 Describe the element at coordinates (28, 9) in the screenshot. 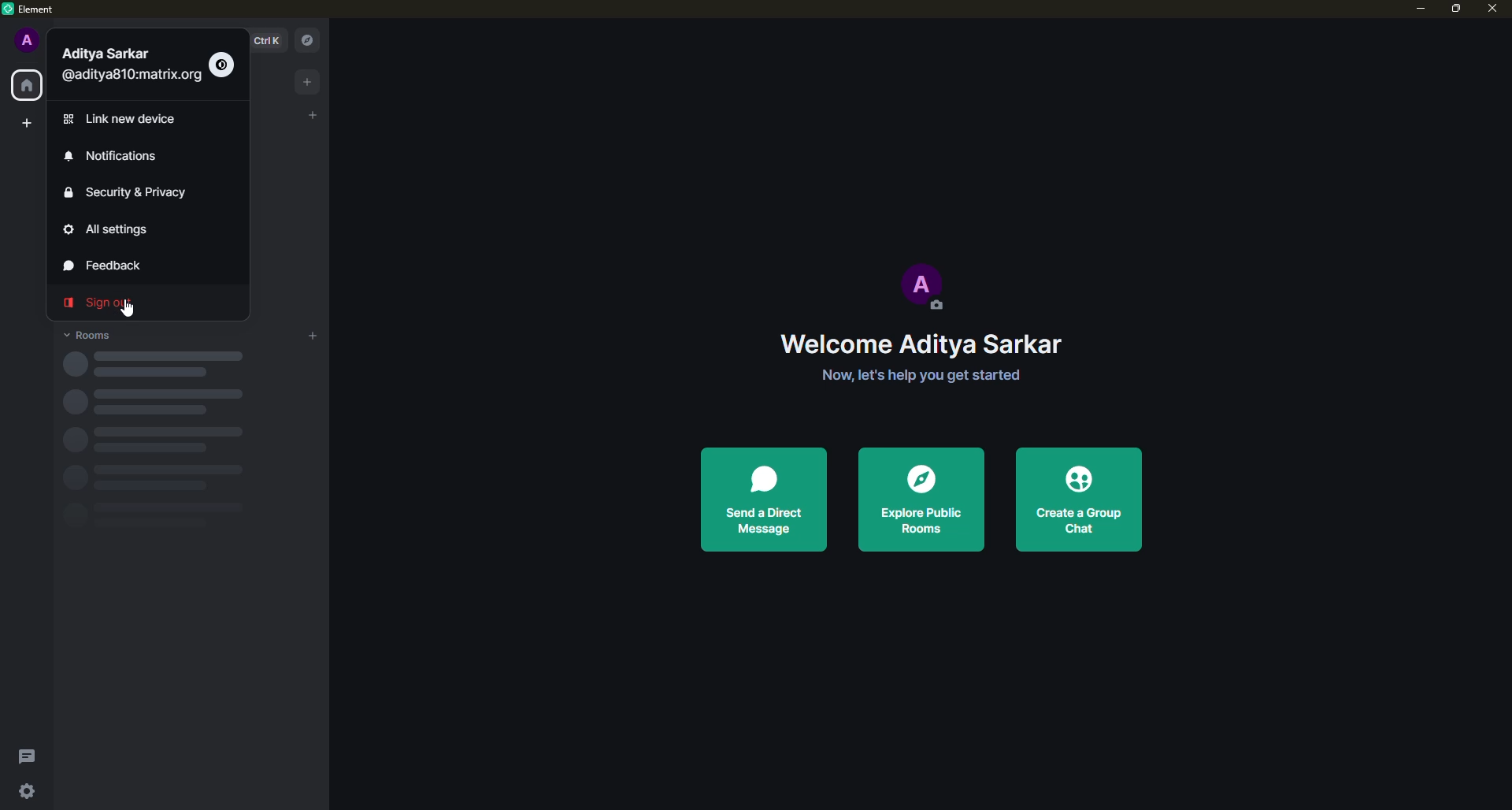

I see `Element` at that location.